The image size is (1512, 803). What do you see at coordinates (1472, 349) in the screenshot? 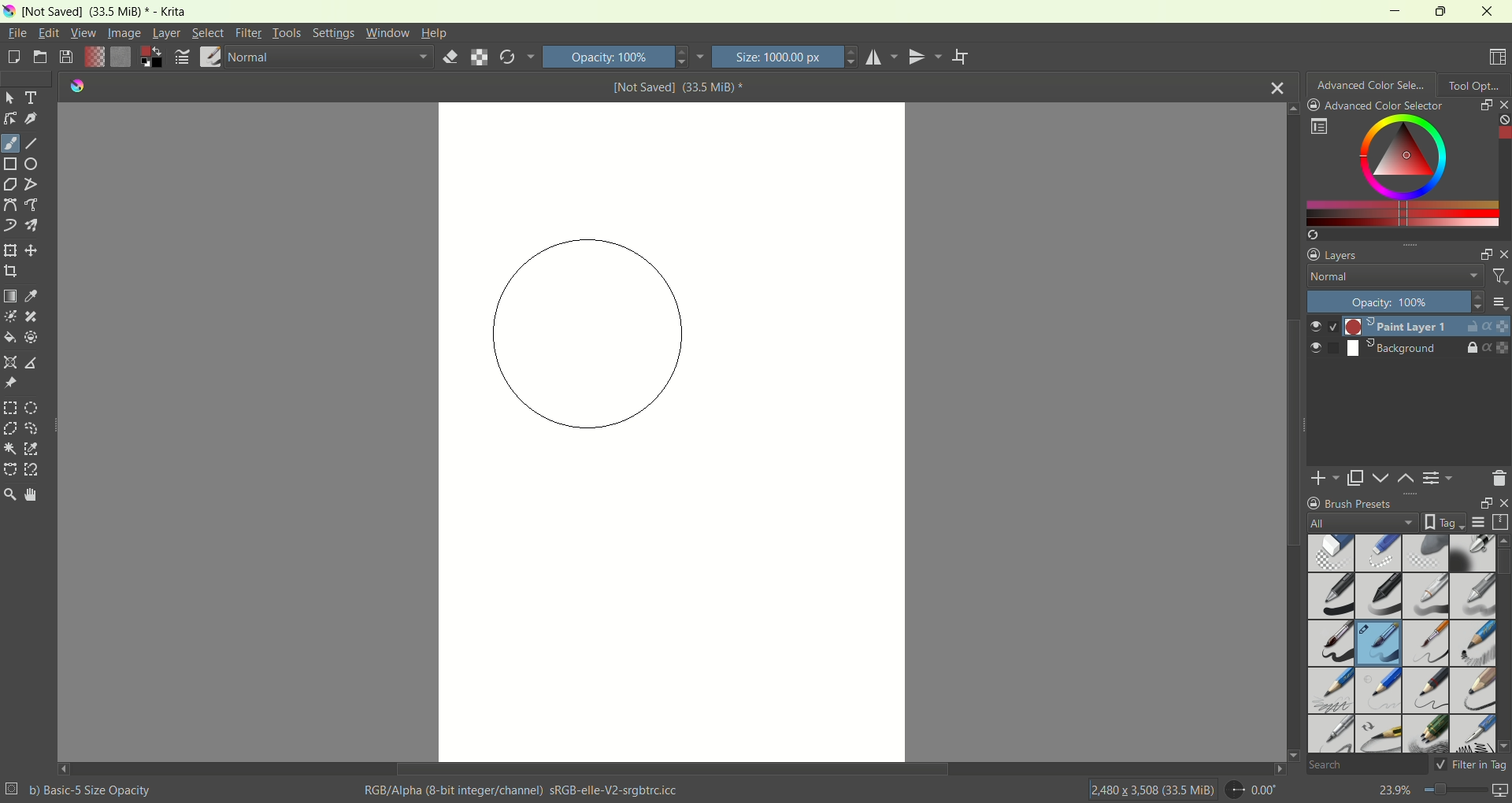
I see `lock` at bounding box center [1472, 349].